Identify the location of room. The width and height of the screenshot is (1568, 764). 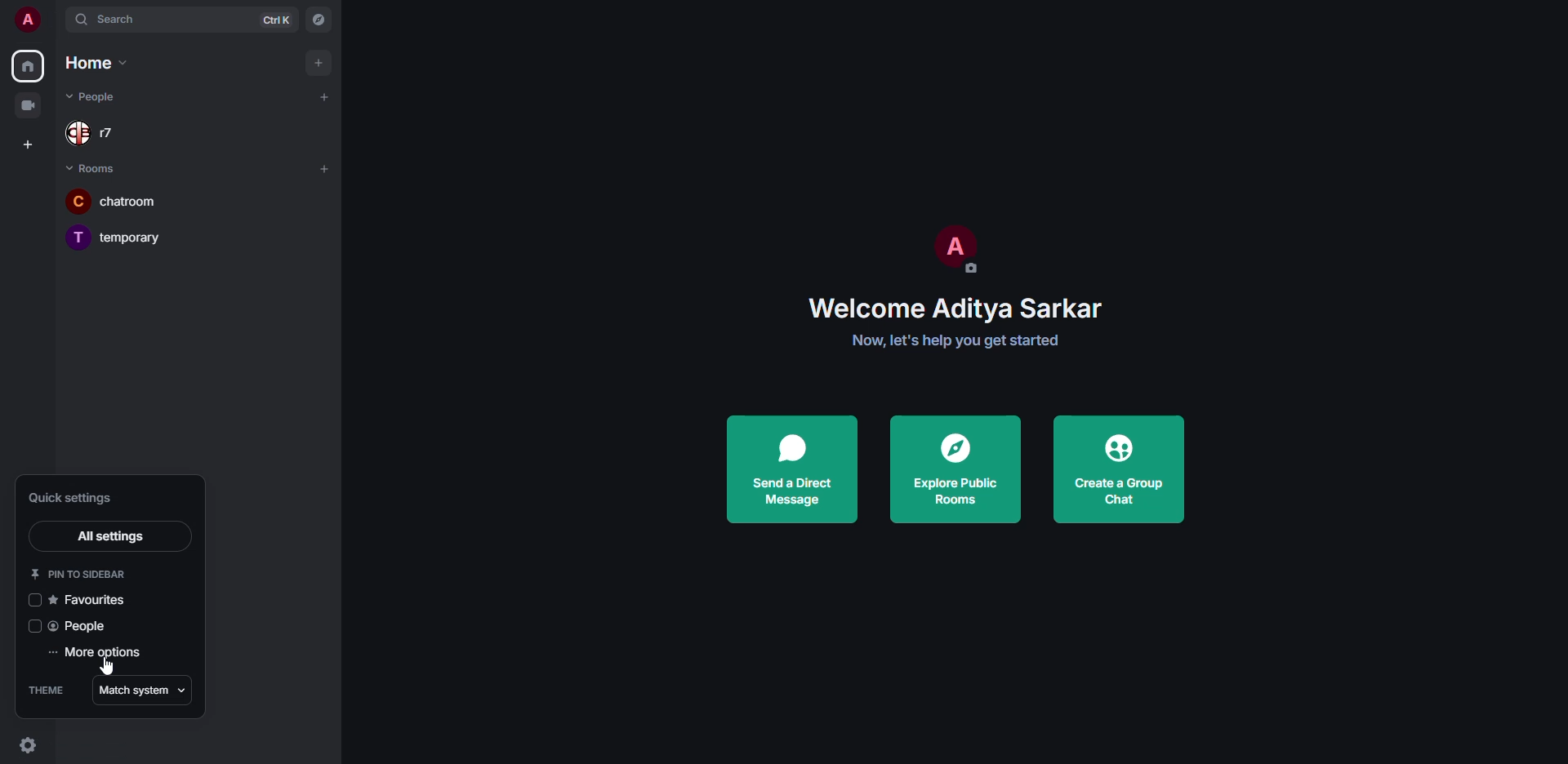
(125, 198).